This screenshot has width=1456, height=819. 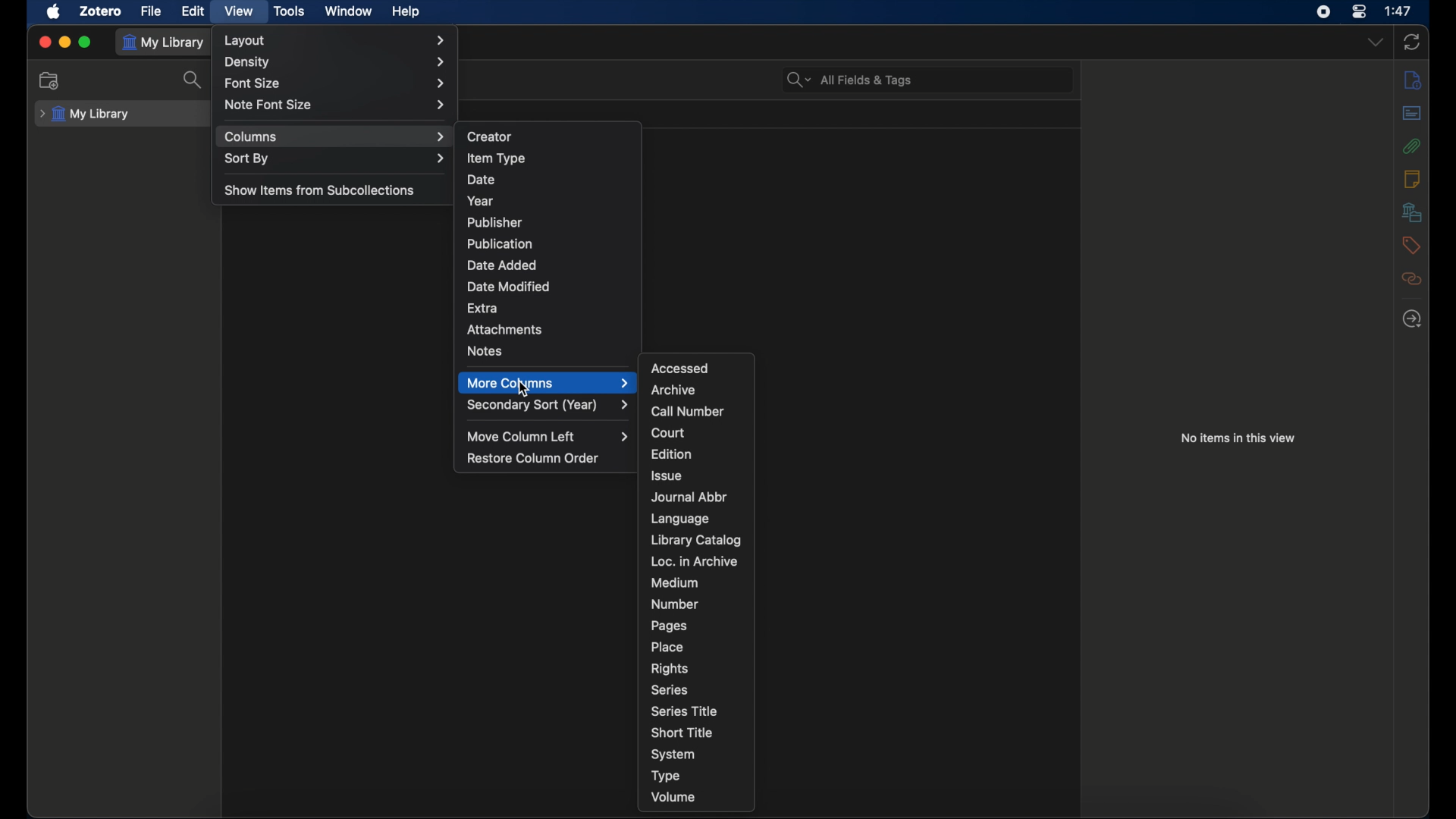 What do you see at coordinates (510, 286) in the screenshot?
I see `date modified` at bounding box center [510, 286].